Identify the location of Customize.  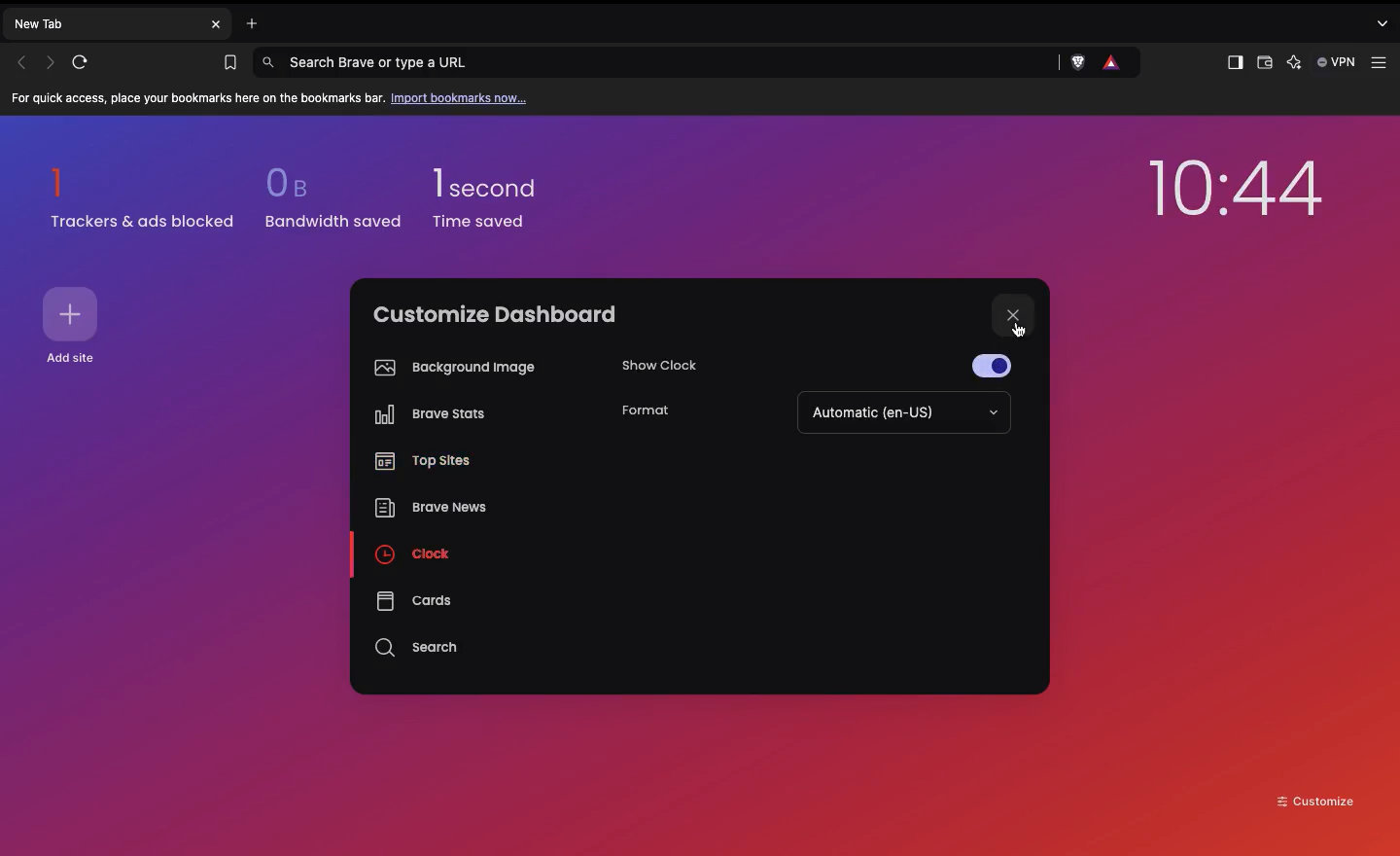
(1316, 800).